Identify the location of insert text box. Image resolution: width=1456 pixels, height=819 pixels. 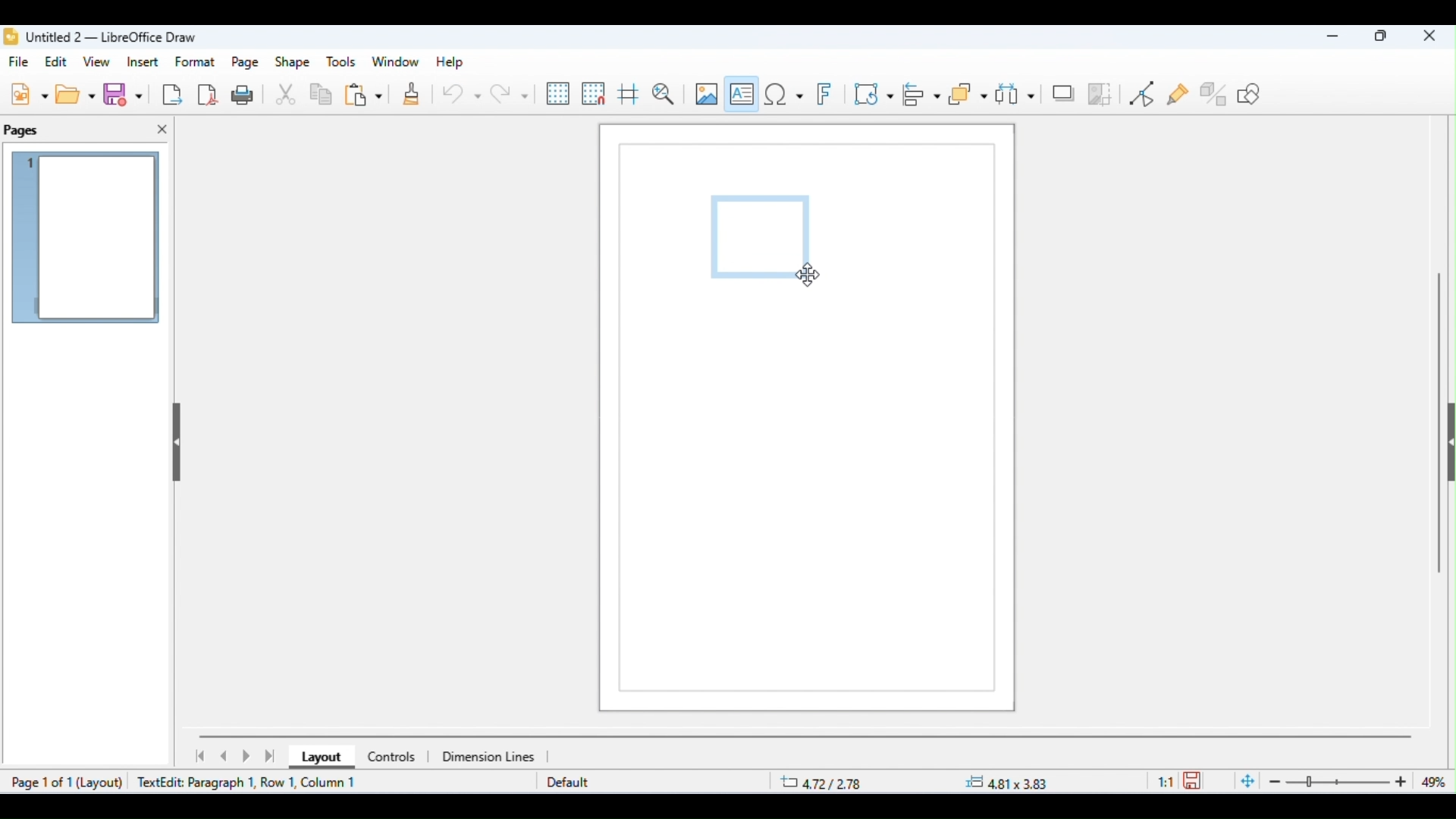
(742, 91).